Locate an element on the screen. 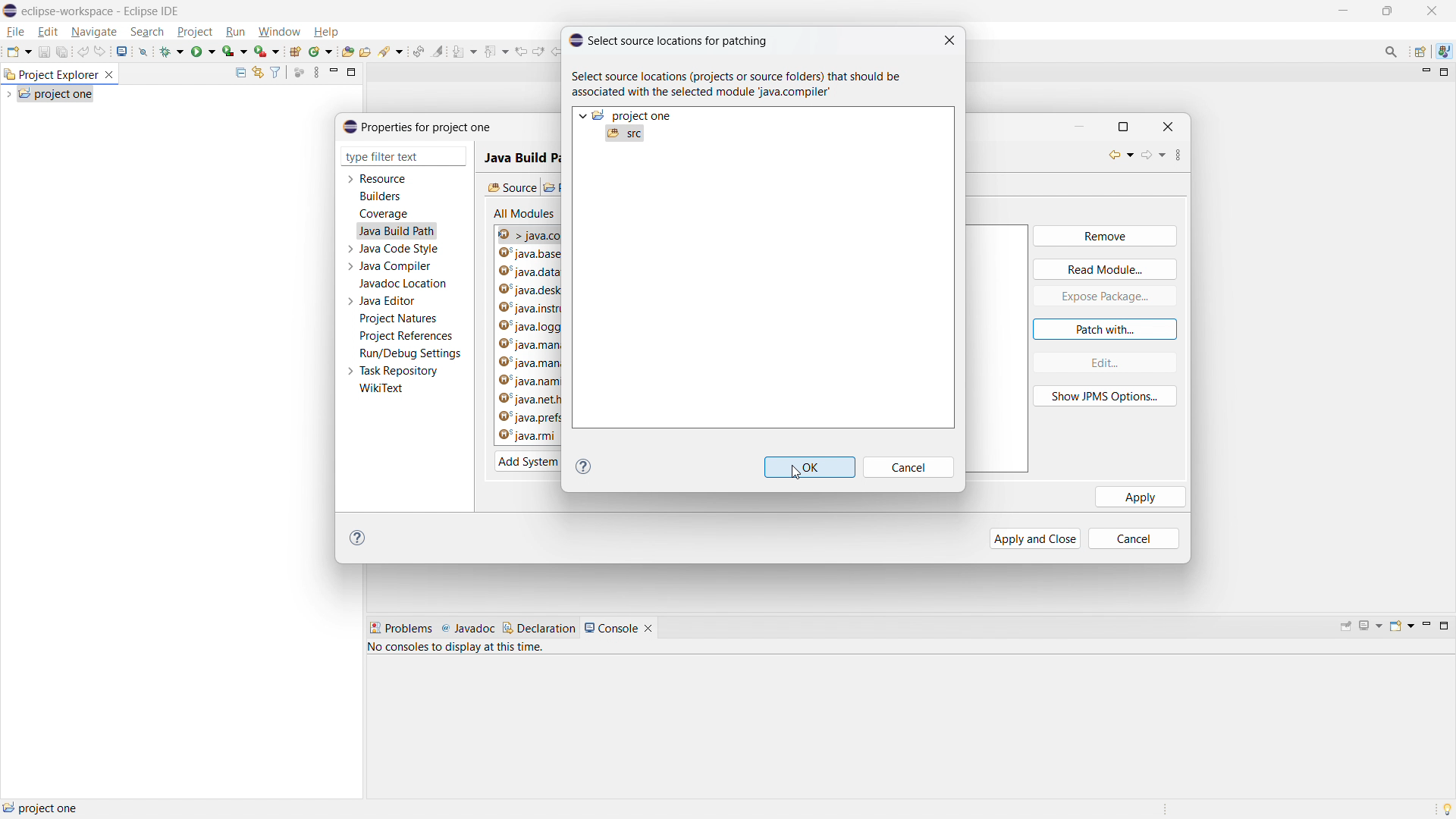 The height and width of the screenshot is (819, 1456). expose package is located at coordinates (1105, 297).